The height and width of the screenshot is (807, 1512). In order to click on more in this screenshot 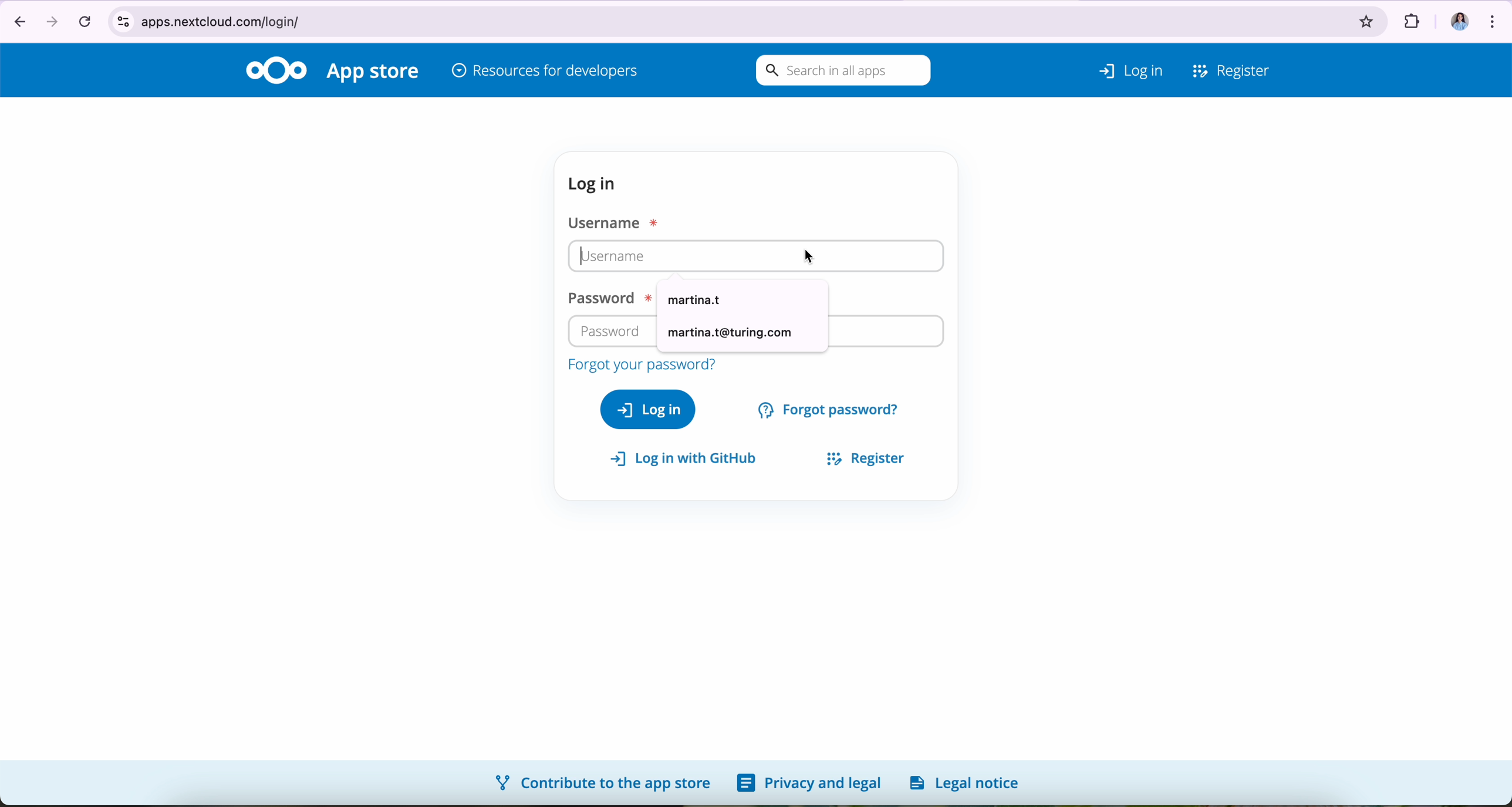, I will do `click(1495, 18)`.